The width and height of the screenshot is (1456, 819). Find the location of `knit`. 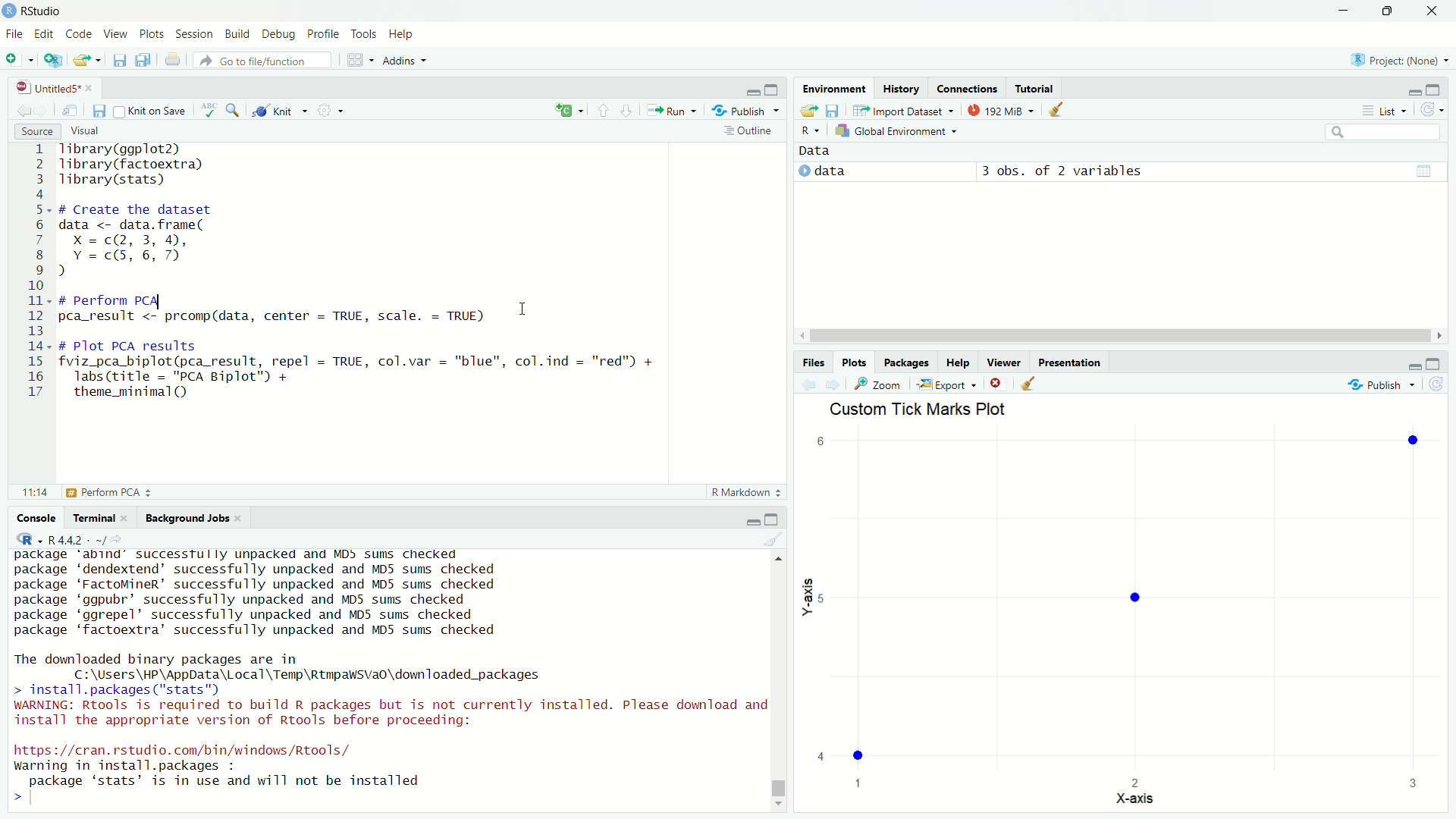

knit is located at coordinates (278, 111).